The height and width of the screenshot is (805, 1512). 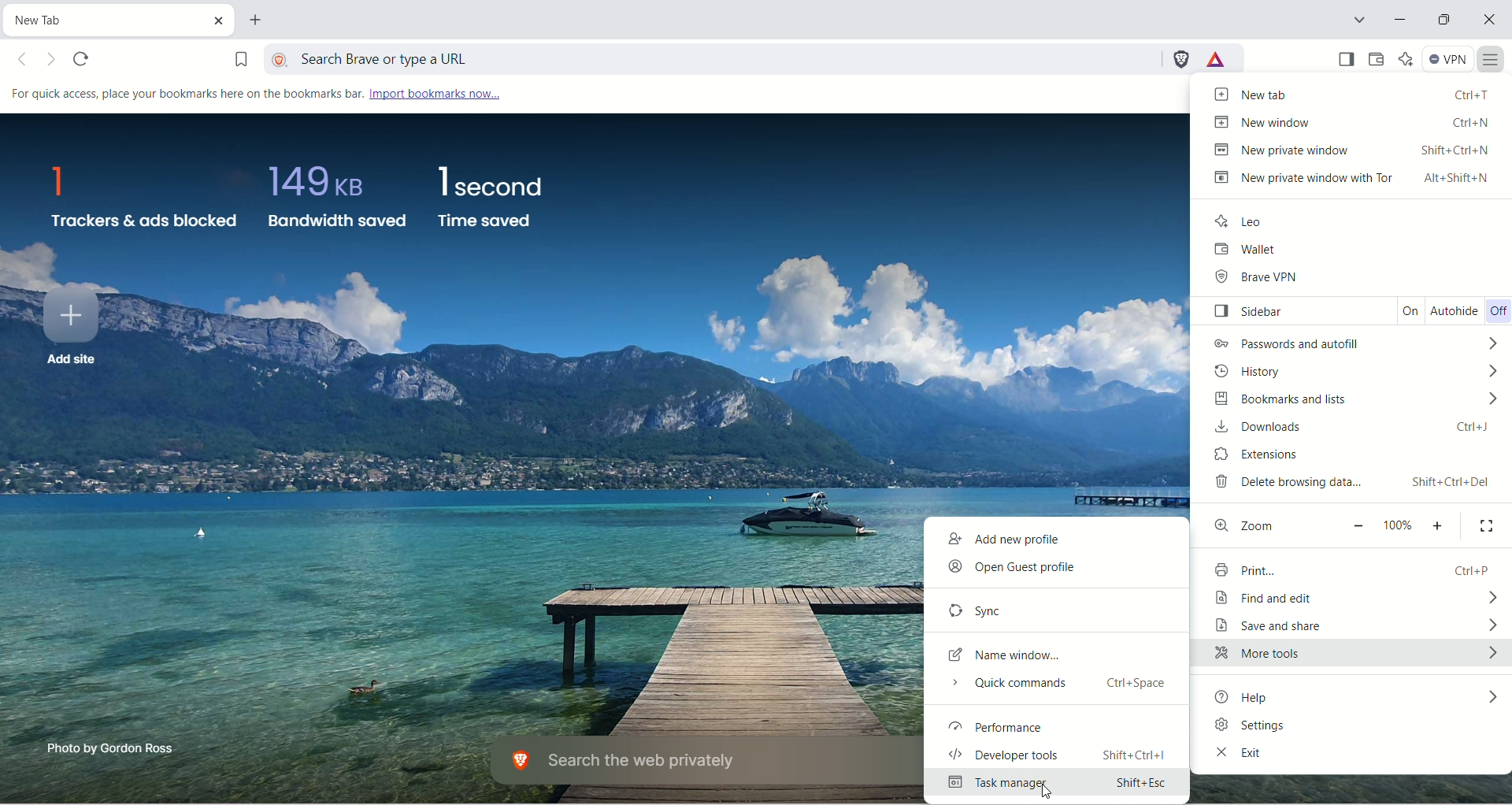 What do you see at coordinates (710, 57) in the screenshot?
I see `search Brave or type a URL` at bounding box center [710, 57].